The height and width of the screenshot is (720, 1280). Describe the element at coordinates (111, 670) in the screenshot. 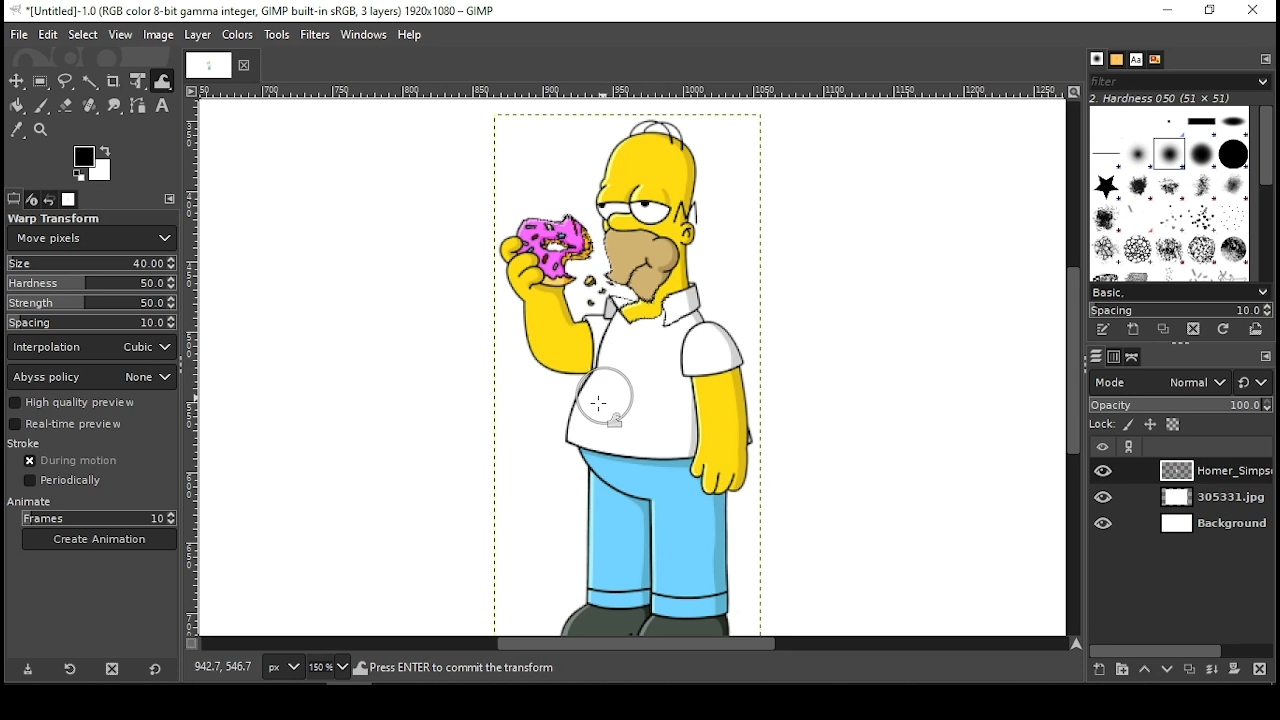

I see `delete tool preset` at that location.